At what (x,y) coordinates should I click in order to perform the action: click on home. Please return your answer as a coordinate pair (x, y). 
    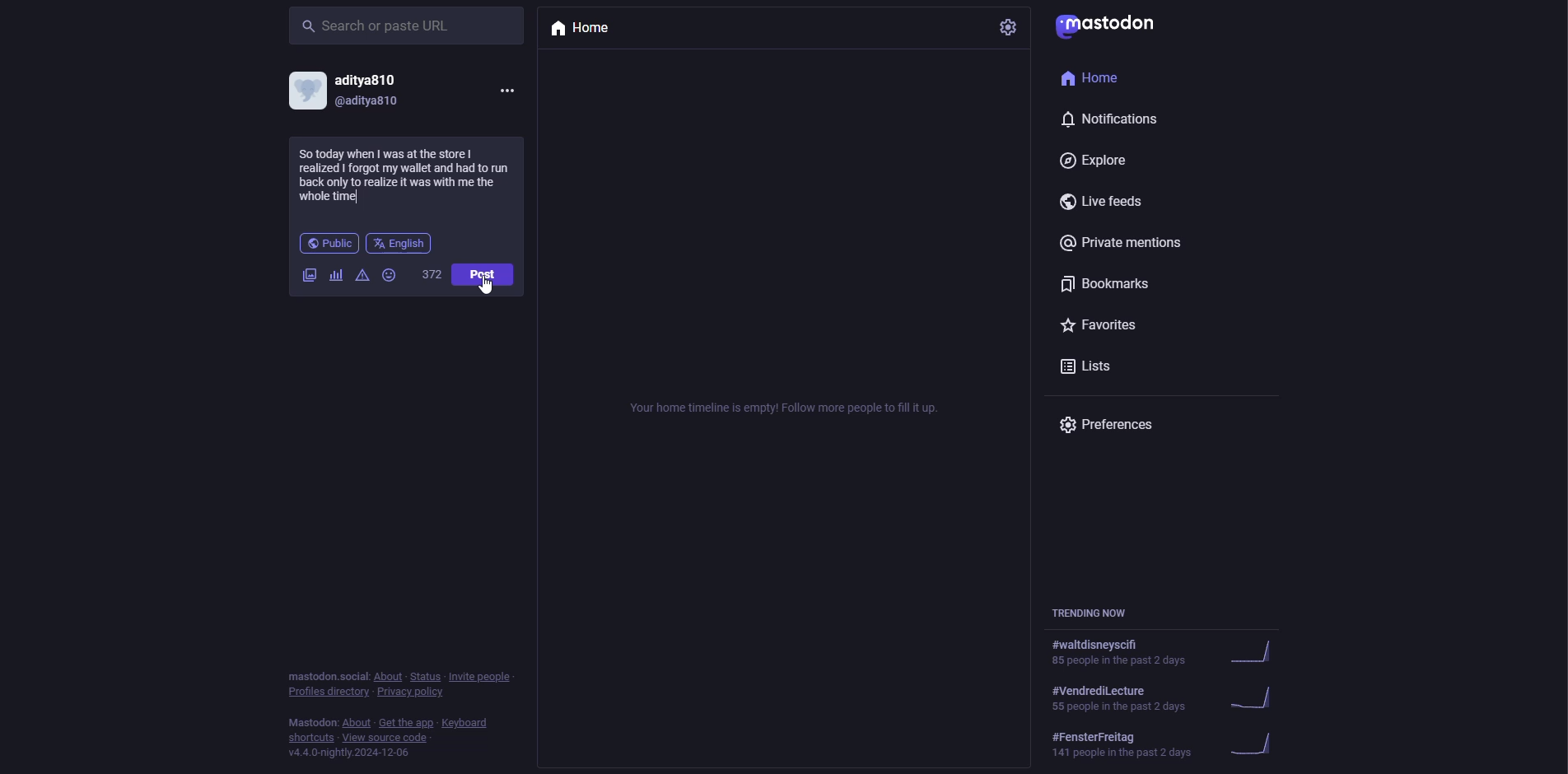
    Looking at the image, I should click on (583, 31).